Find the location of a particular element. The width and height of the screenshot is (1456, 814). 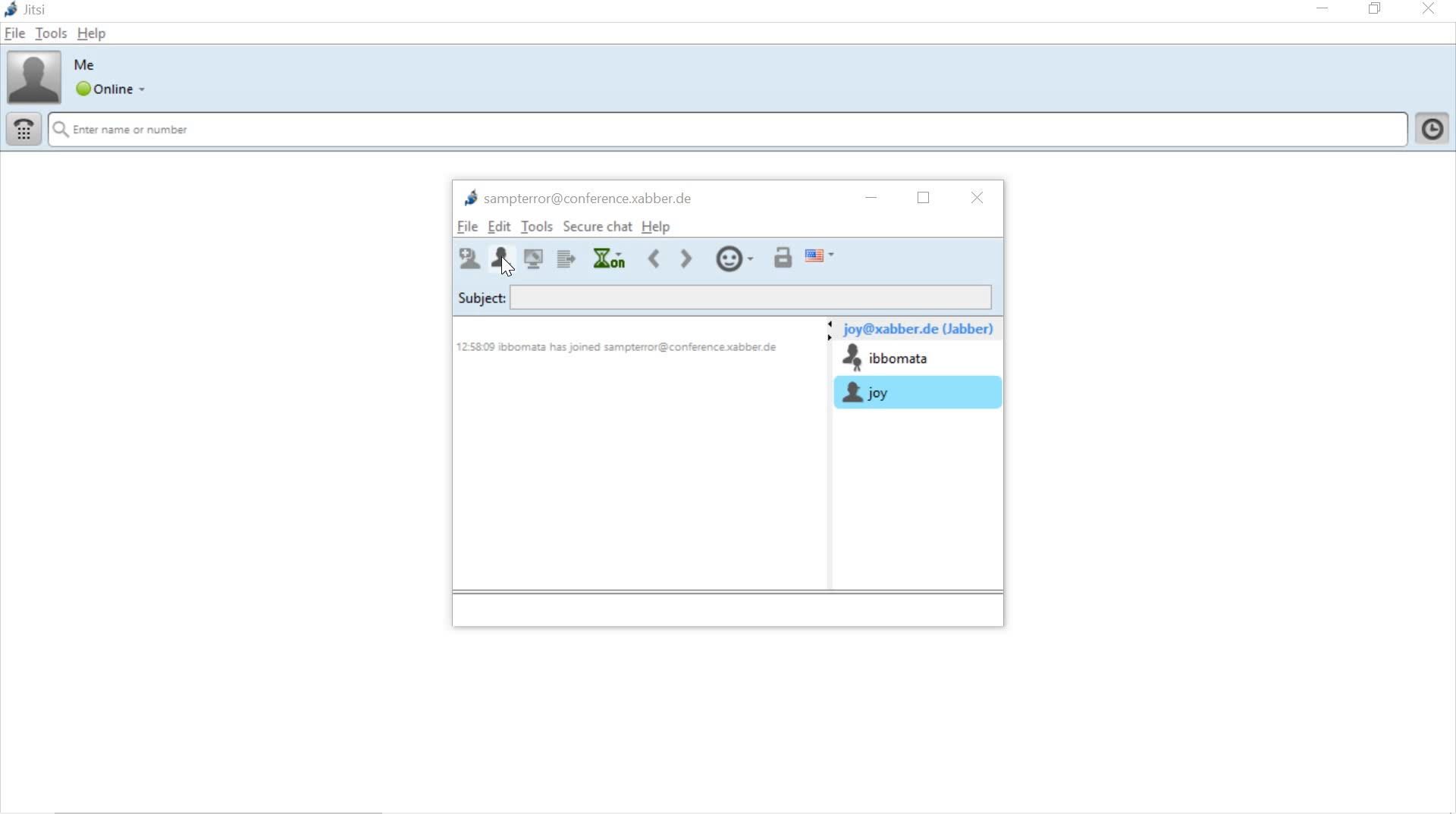

global status is located at coordinates (113, 89).